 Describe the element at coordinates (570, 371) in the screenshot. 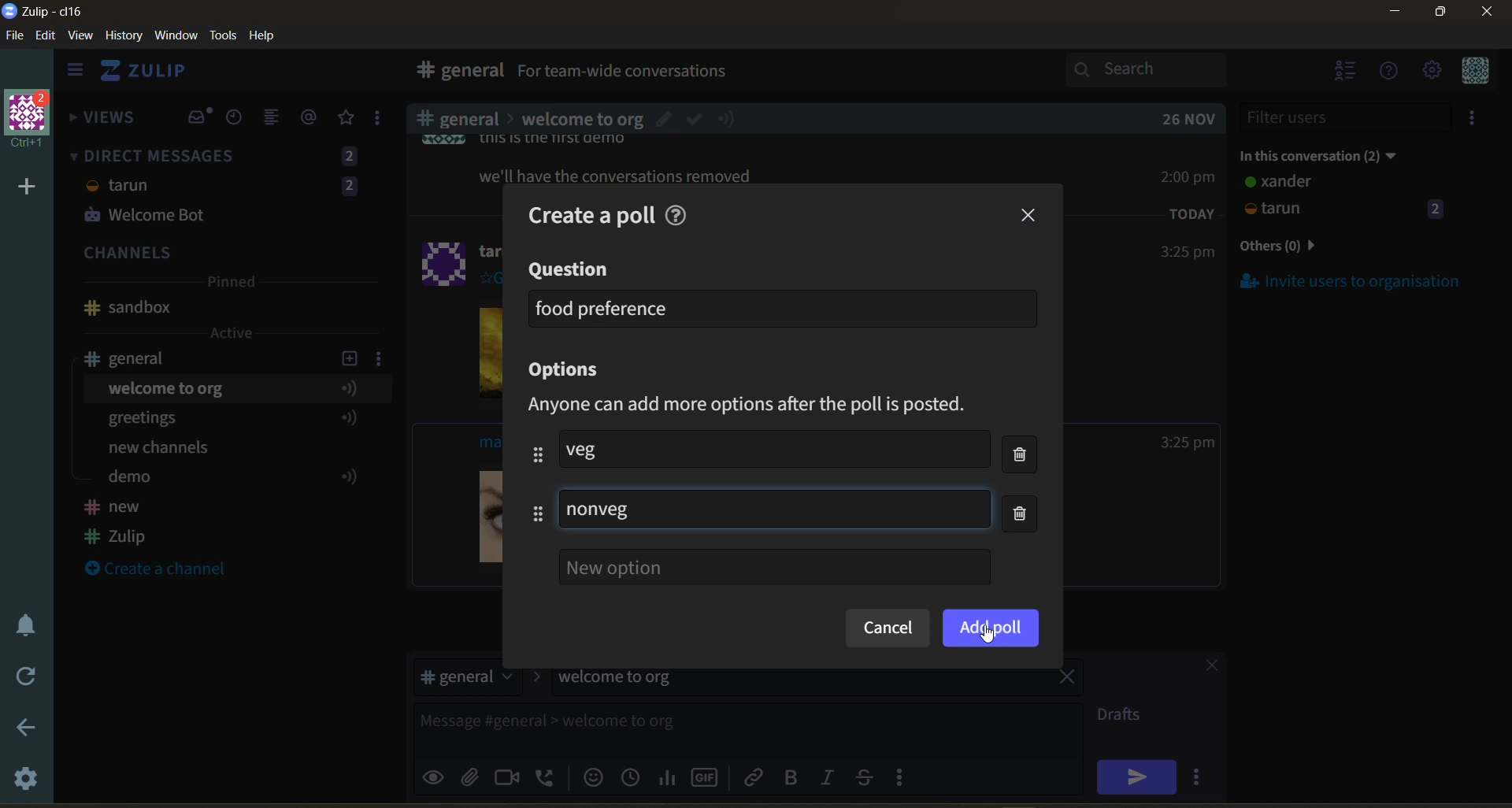

I see `options` at that location.